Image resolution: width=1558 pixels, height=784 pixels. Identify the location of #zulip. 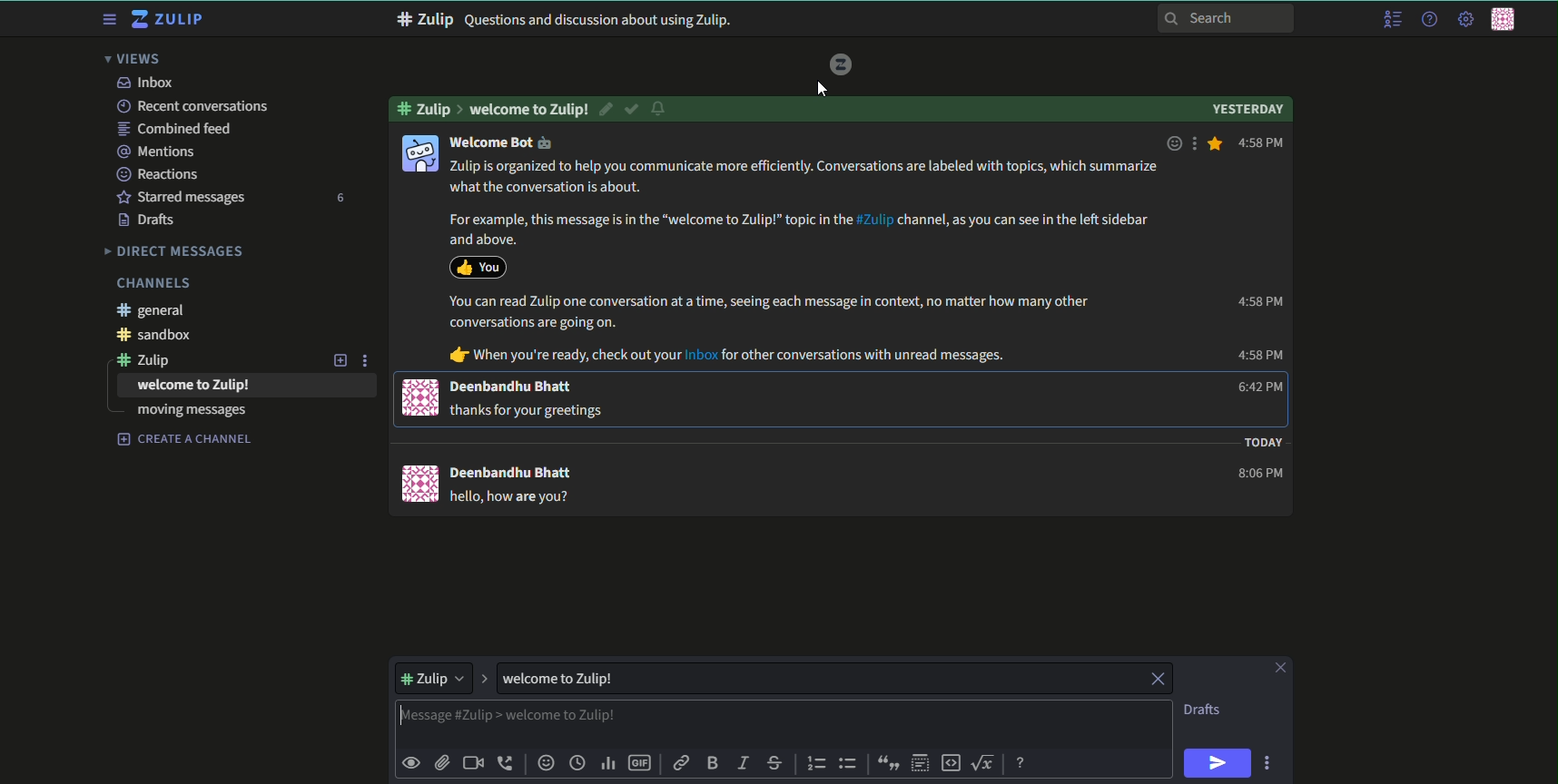
(153, 359).